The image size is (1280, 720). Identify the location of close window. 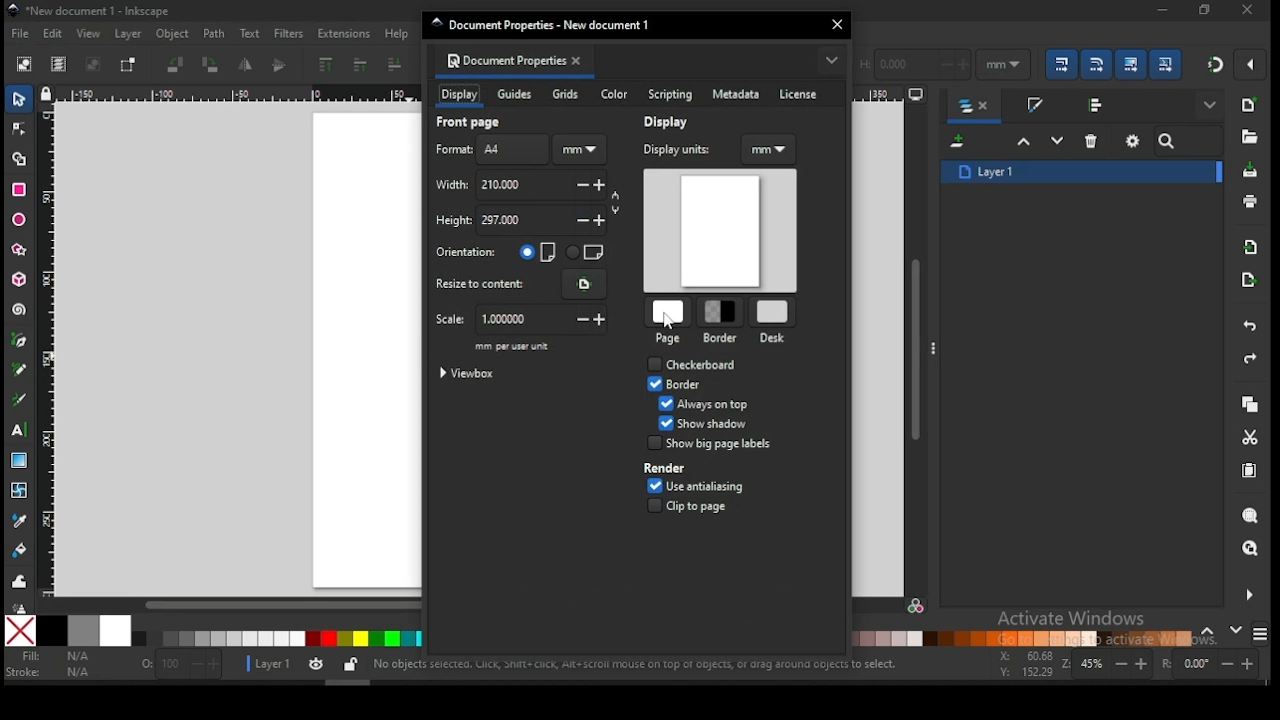
(836, 24).